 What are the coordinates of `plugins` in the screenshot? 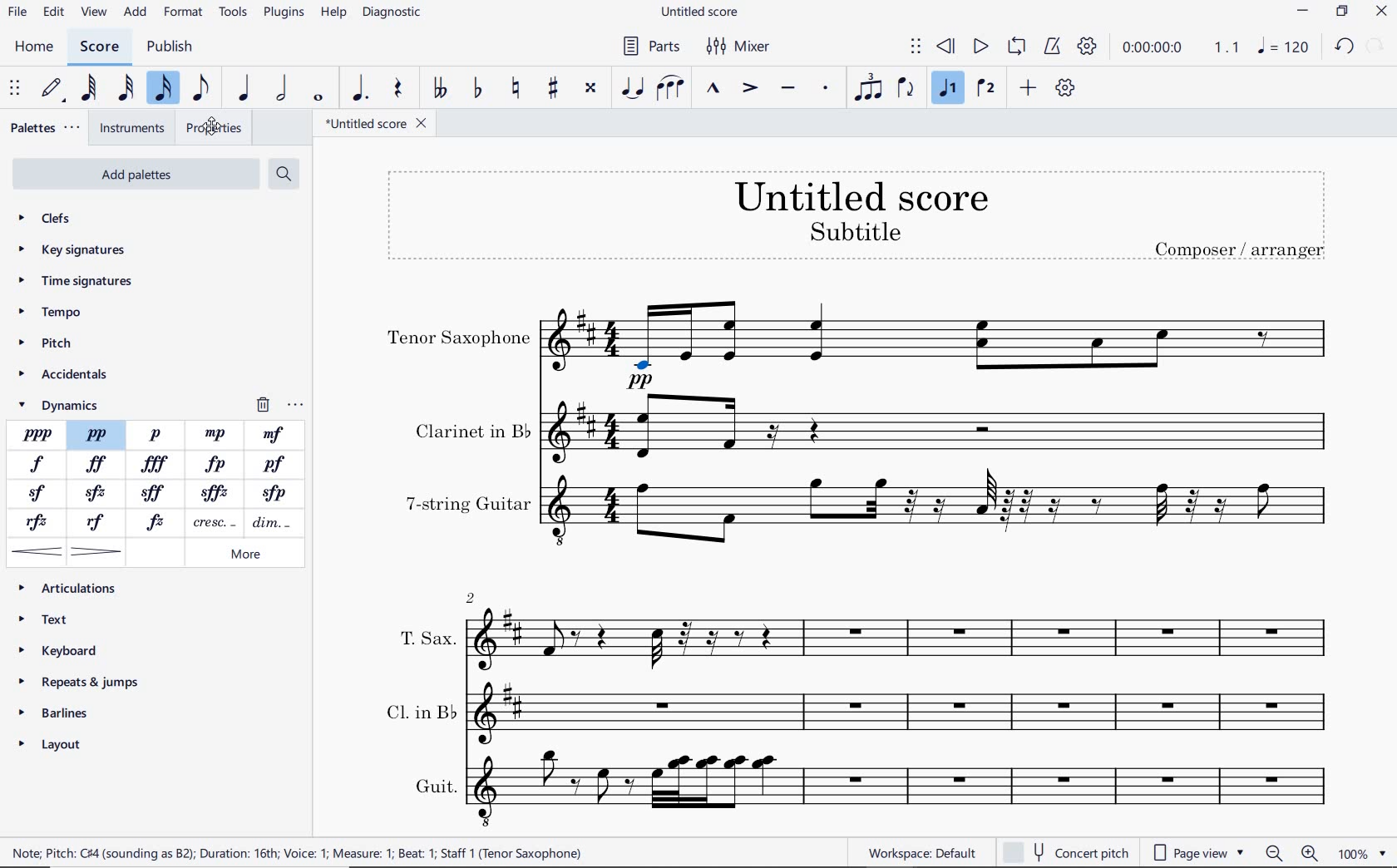 It's located at (285, 13).